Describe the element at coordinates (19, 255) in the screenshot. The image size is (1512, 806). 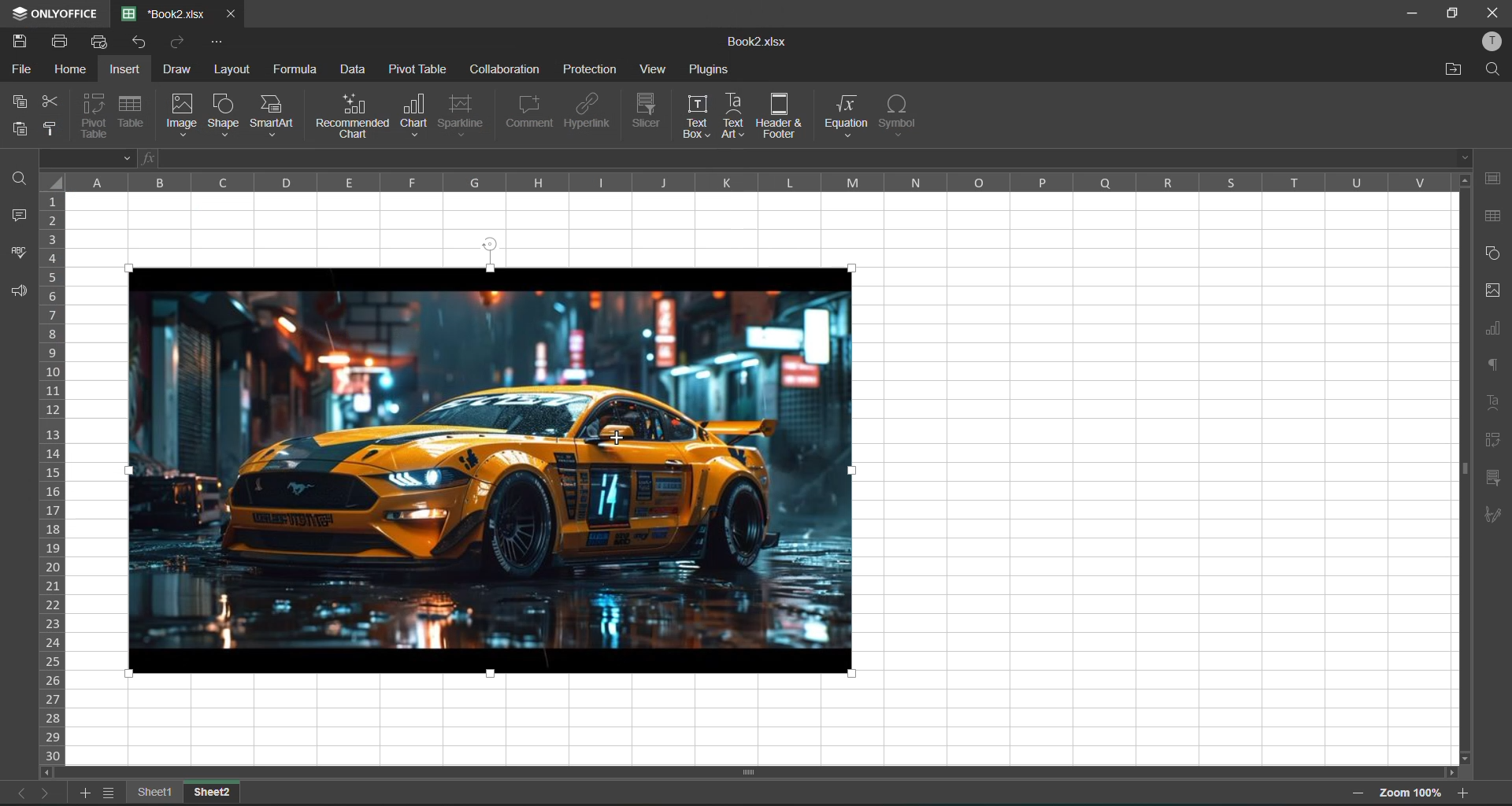
I see `spellcheck` at that location.